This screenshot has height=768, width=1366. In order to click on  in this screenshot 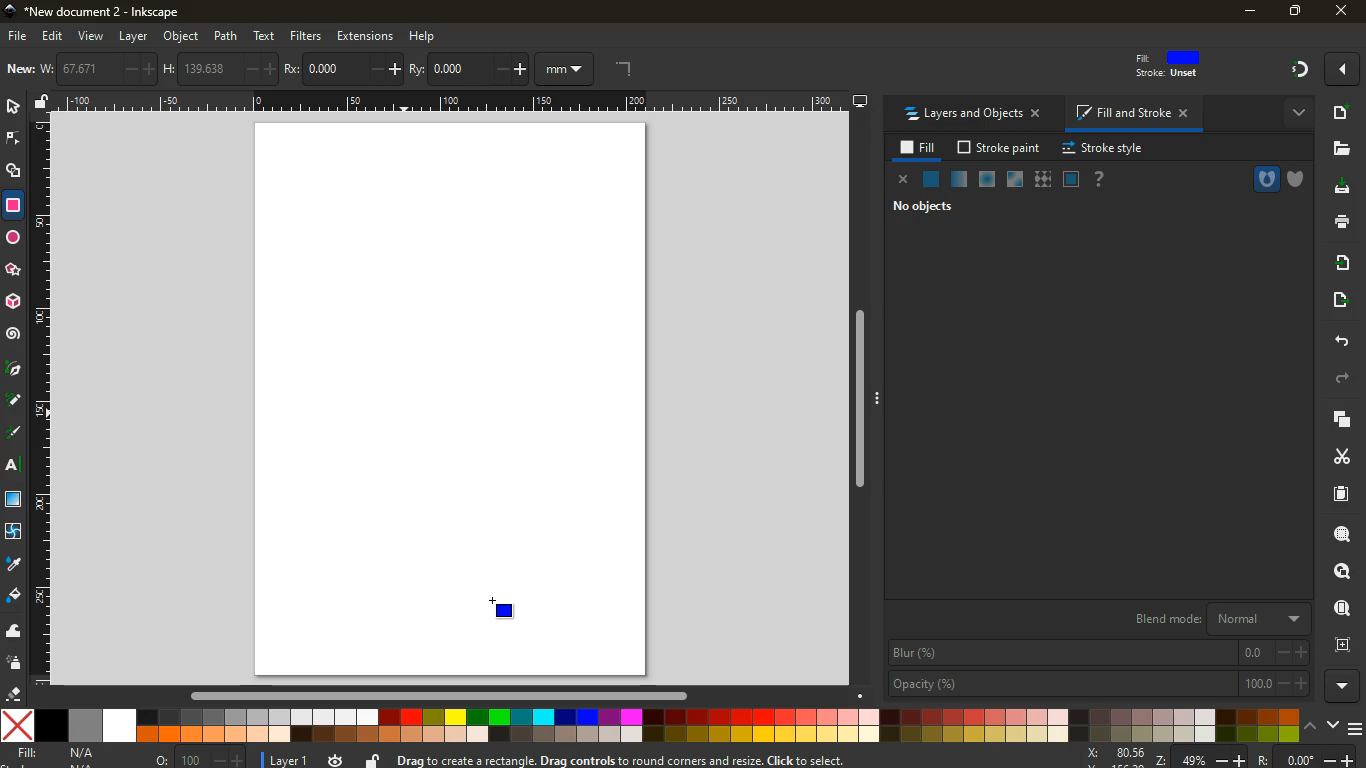, I will do `click(446, 692)`.